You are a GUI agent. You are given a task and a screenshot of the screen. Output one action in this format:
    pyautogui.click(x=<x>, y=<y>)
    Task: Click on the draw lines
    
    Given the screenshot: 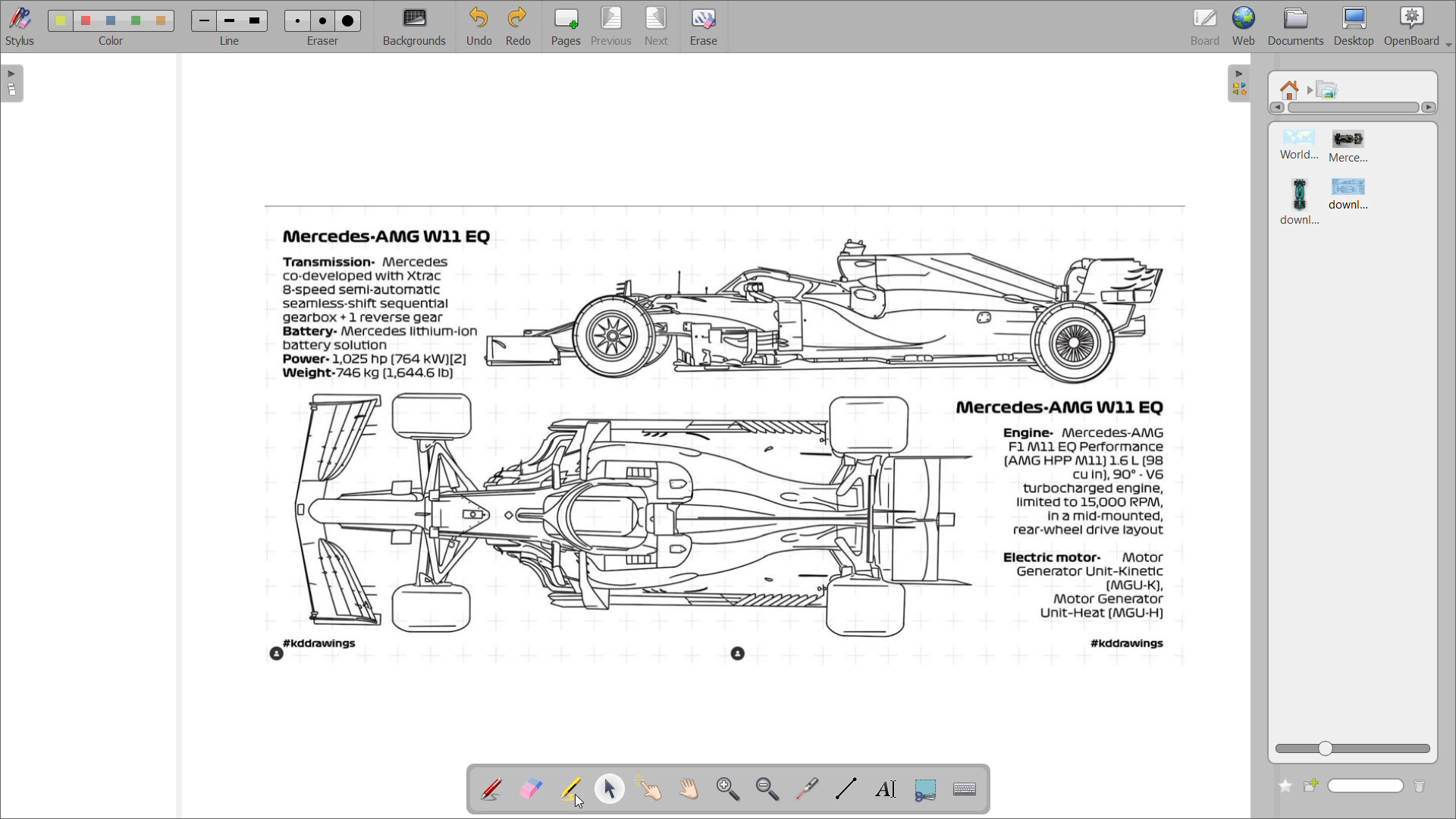 What is the action you would take?
    pyautogui.click(x=849, y=787)
    